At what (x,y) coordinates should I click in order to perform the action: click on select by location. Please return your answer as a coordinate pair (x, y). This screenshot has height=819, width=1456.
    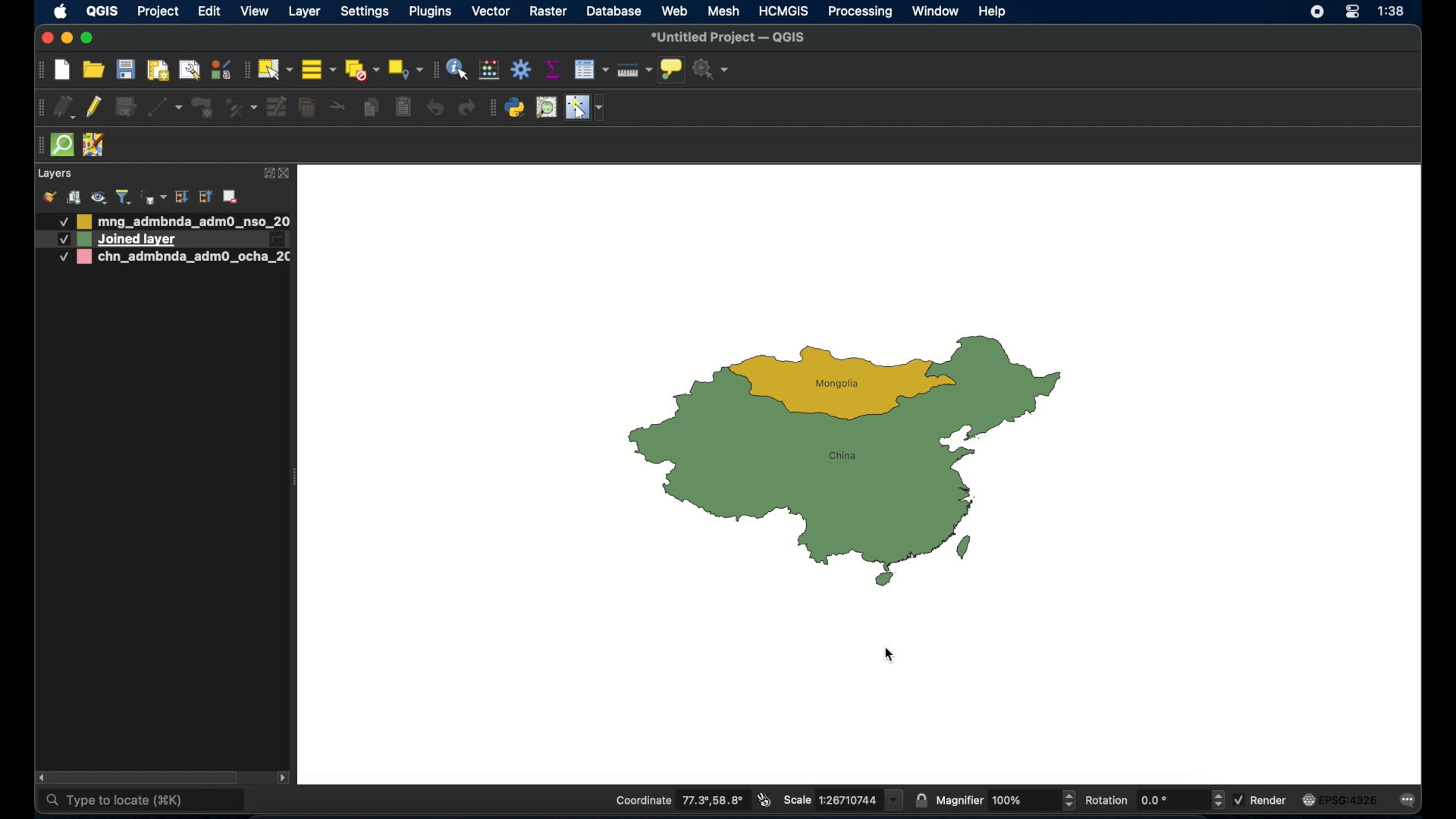
    Looking at the image, I should click on (404, 70).